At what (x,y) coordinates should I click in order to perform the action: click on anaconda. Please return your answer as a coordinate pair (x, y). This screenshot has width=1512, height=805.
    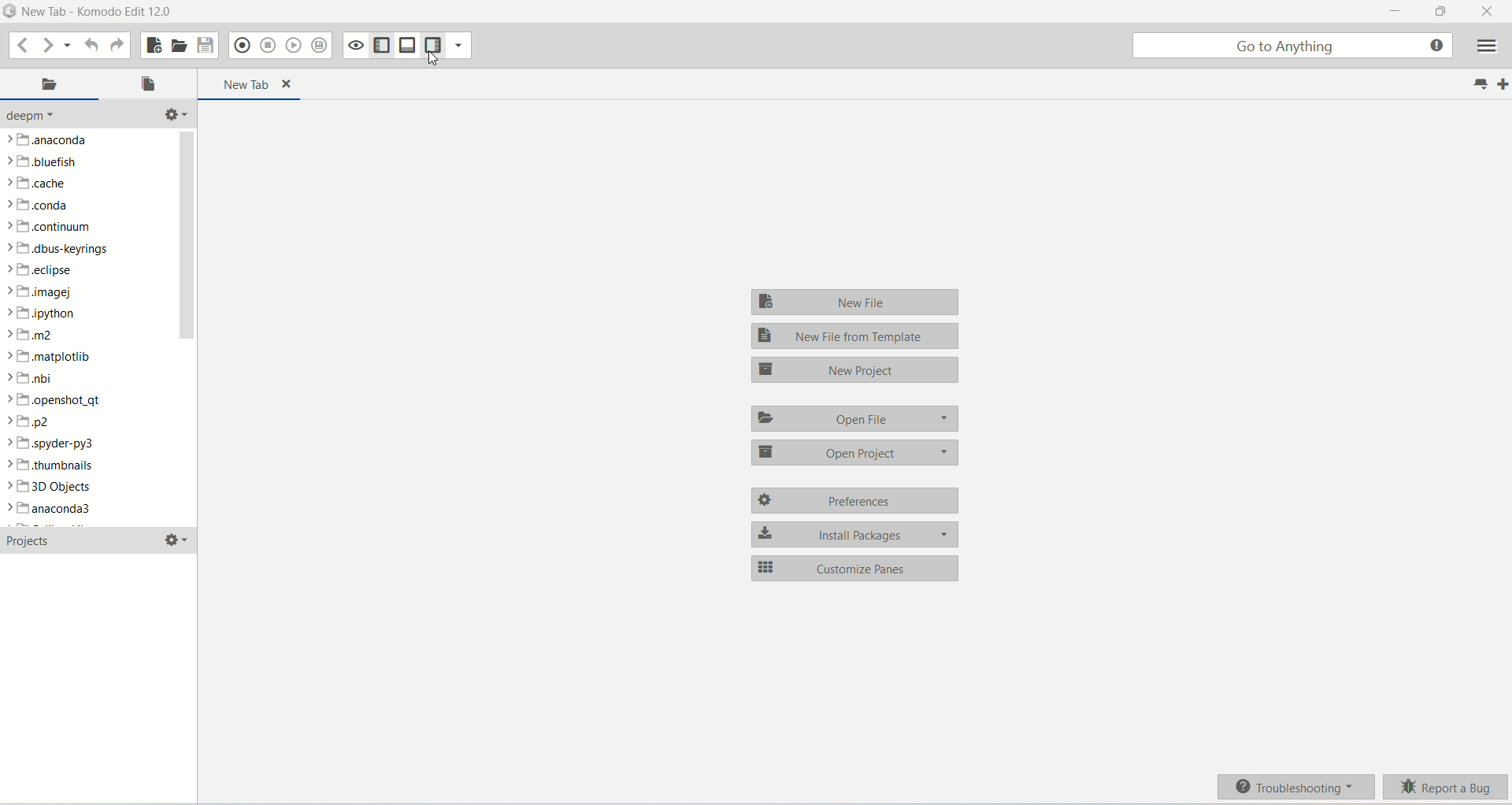
    Looking at the image, I should click on (57, 510).